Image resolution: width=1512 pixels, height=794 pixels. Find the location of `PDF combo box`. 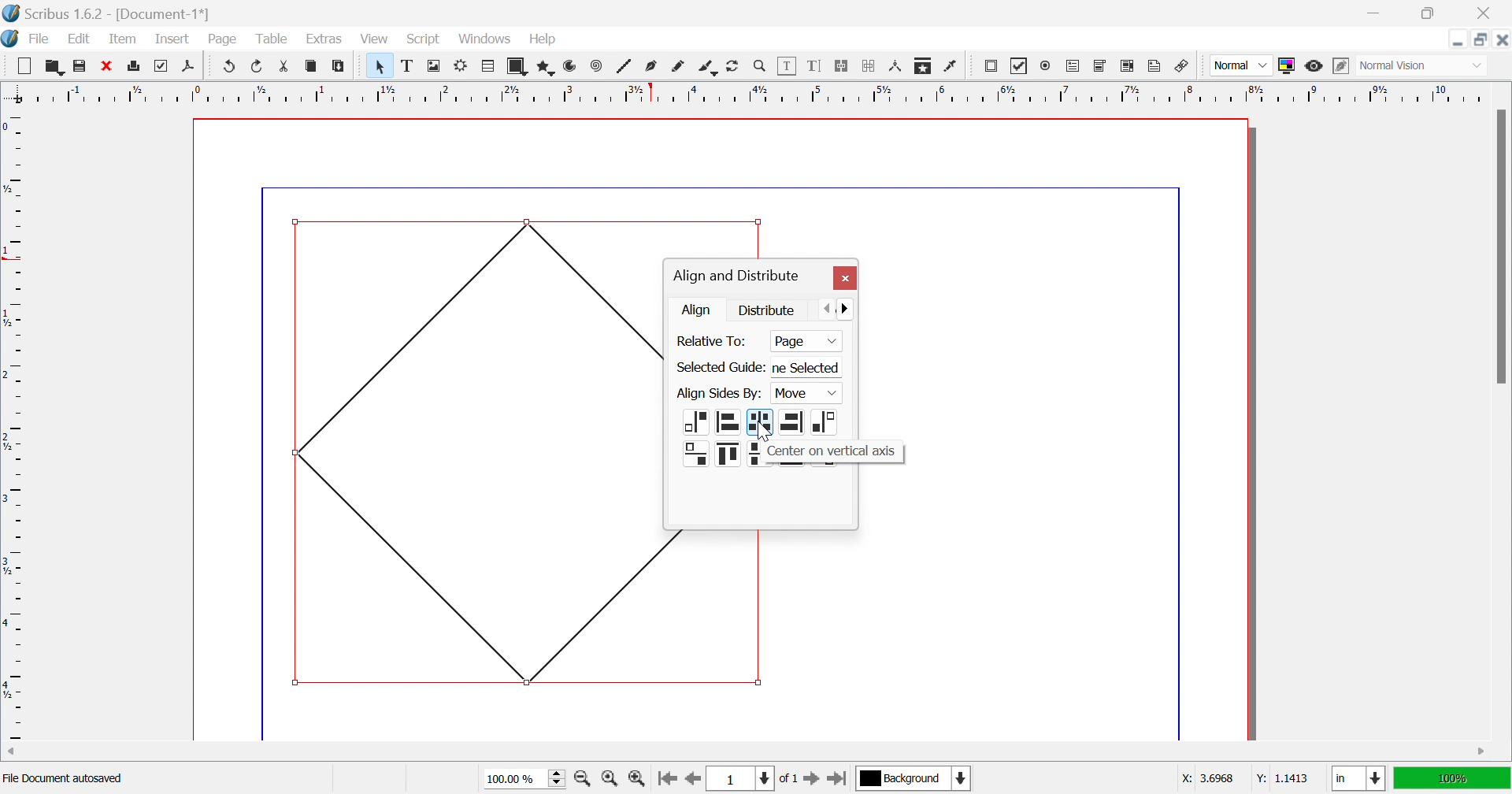

PDF combo box is located at coordinates (1101, 66).